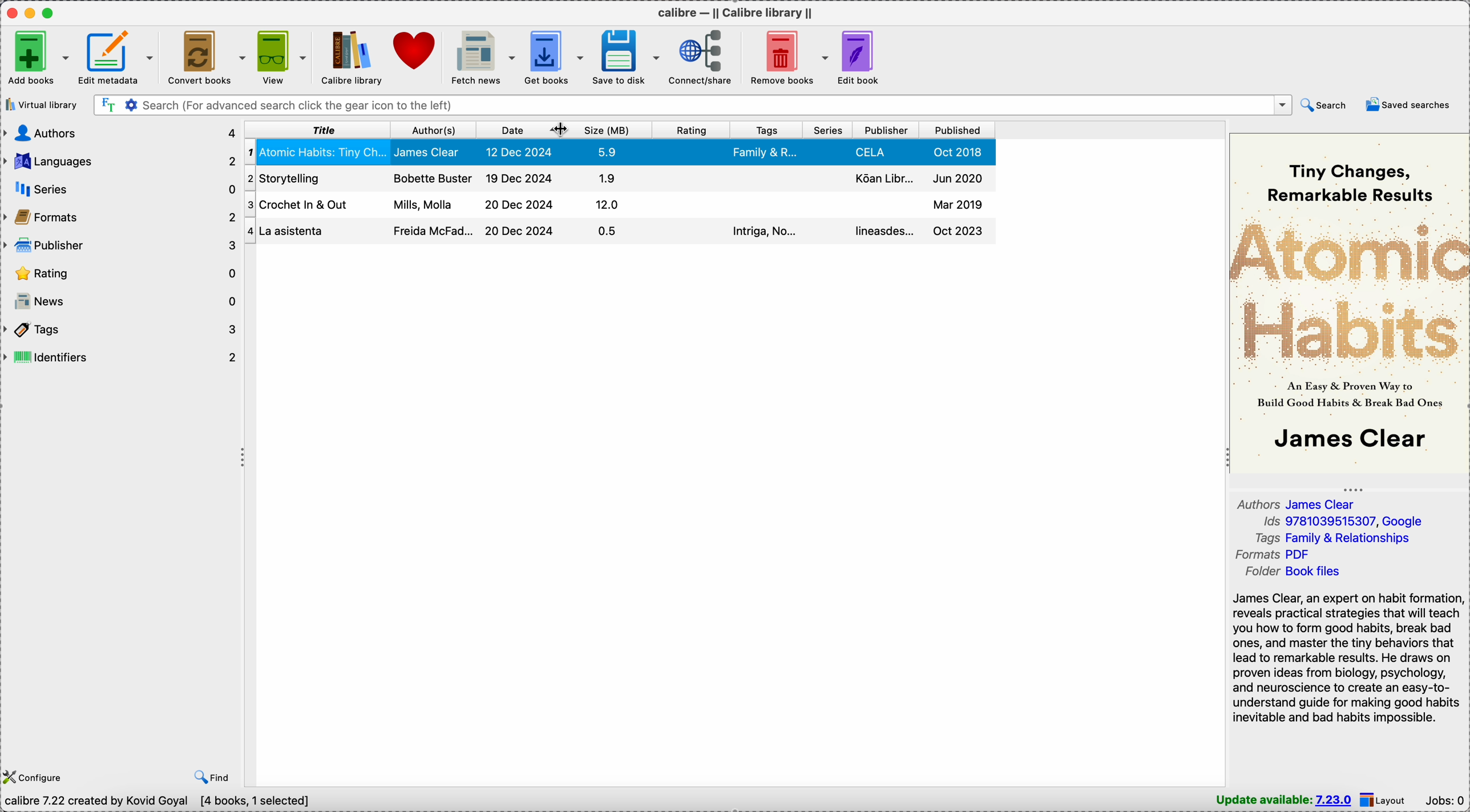 The width and height of the screenshot is (1470, 812). What do you see at coordinates (692, 104) in the screenshot?
I see `search bar` at bounding box center [692, 104].